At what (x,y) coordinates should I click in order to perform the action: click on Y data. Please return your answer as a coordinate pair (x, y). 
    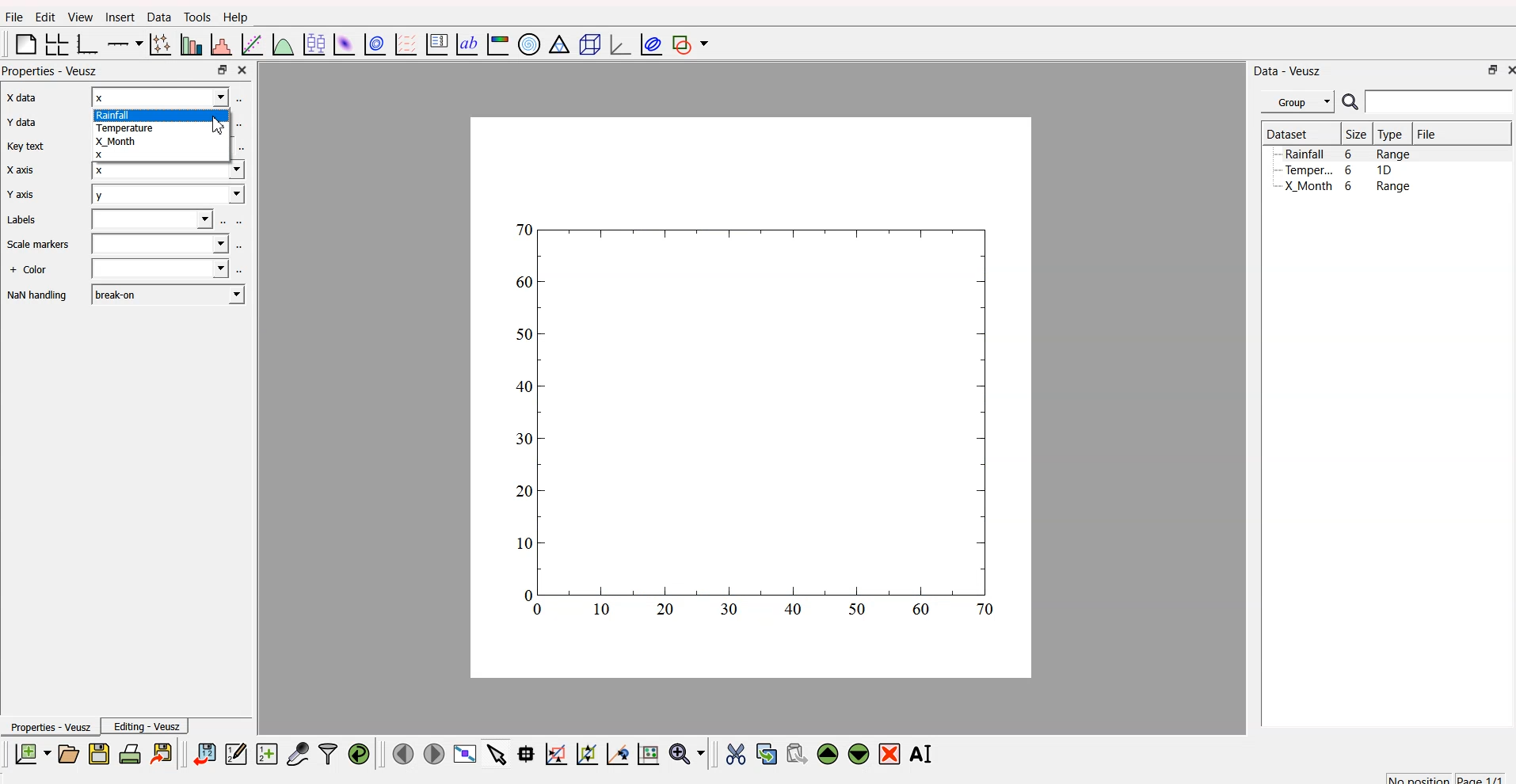
    Looking at the image, I should click on (21, 124).